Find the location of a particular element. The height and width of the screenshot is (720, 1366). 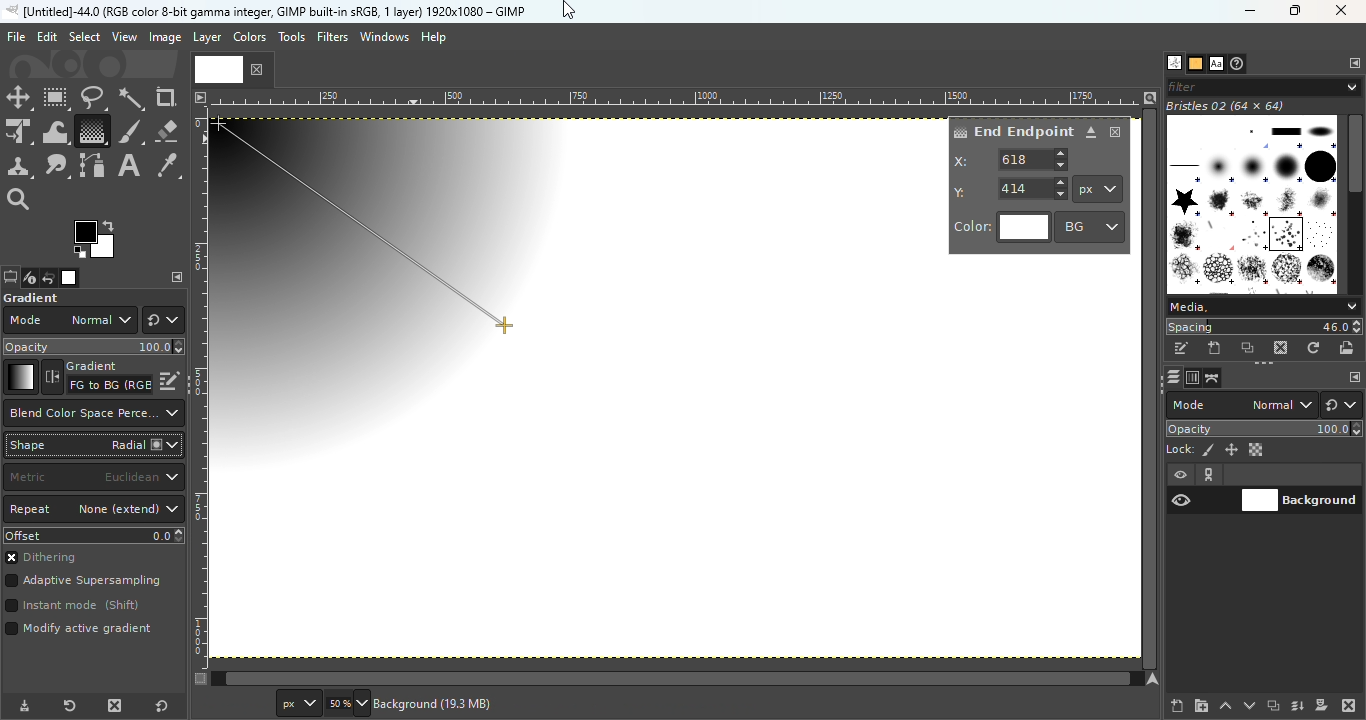

Matric to the use for the distance calculation is located at coordinates (93, 478).